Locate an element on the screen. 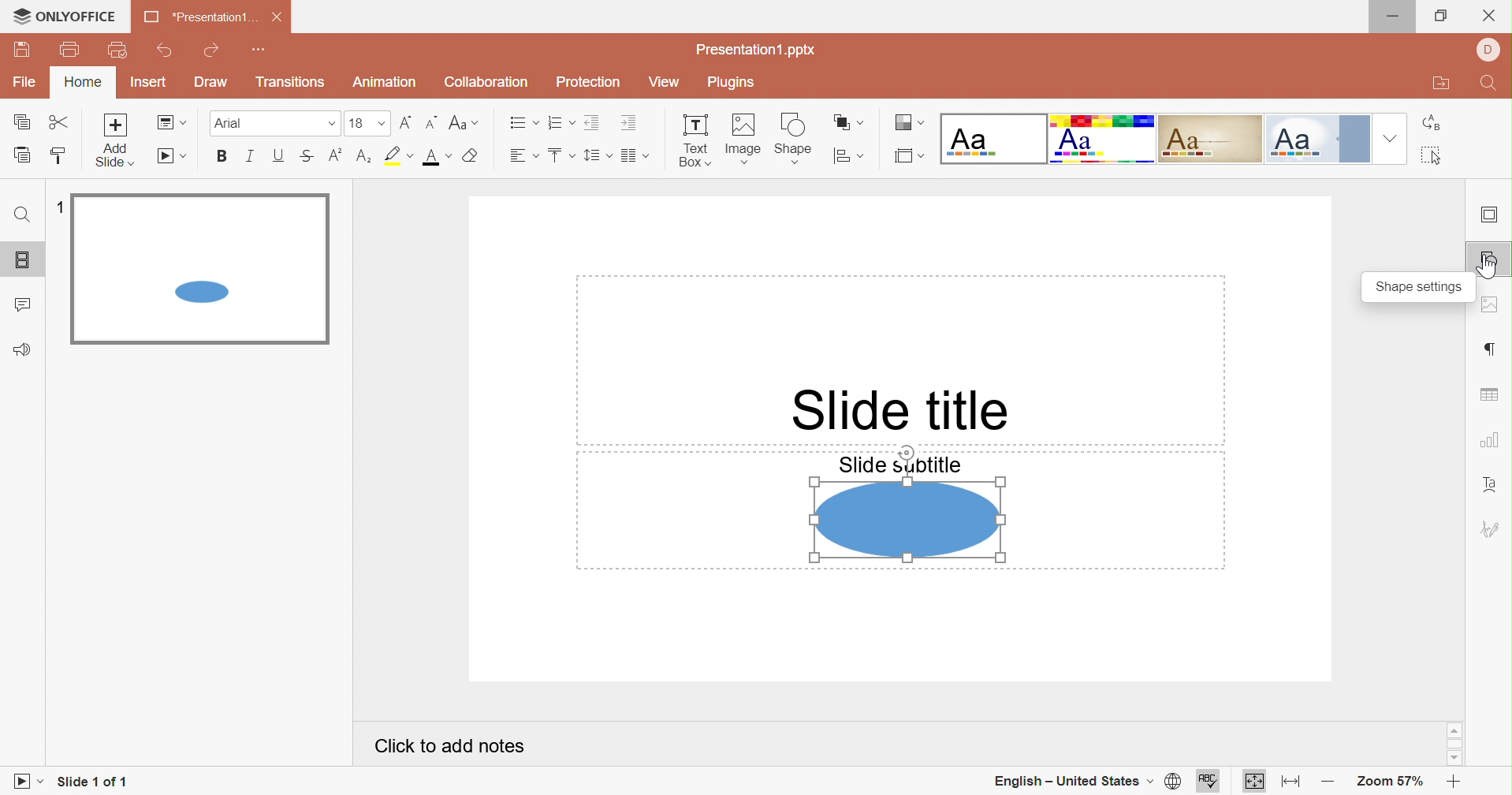 This screenshot has width=1512, height=795. Protection is located at coordinates (590, 83).